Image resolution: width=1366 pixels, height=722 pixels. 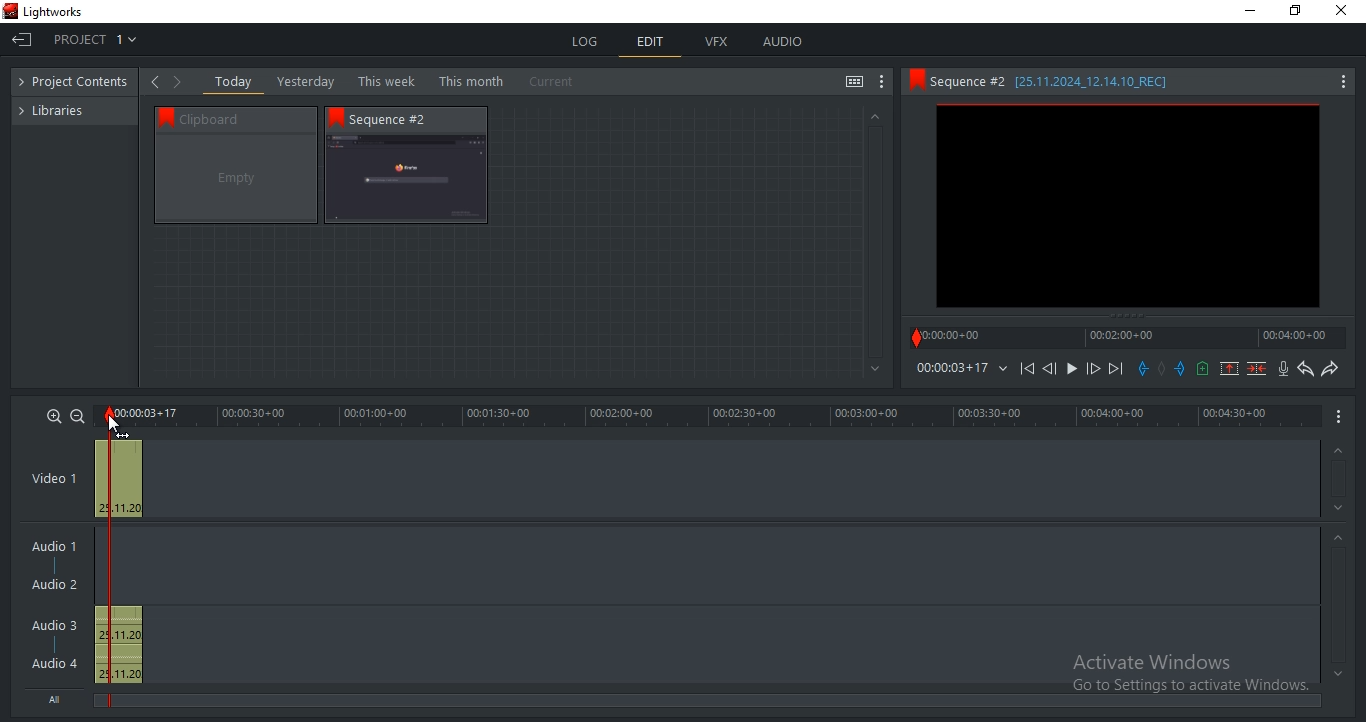 What do you see at coordinates (1203, 369) in the screenshot?
I see `add cue` at bounding box center [1203, 369].